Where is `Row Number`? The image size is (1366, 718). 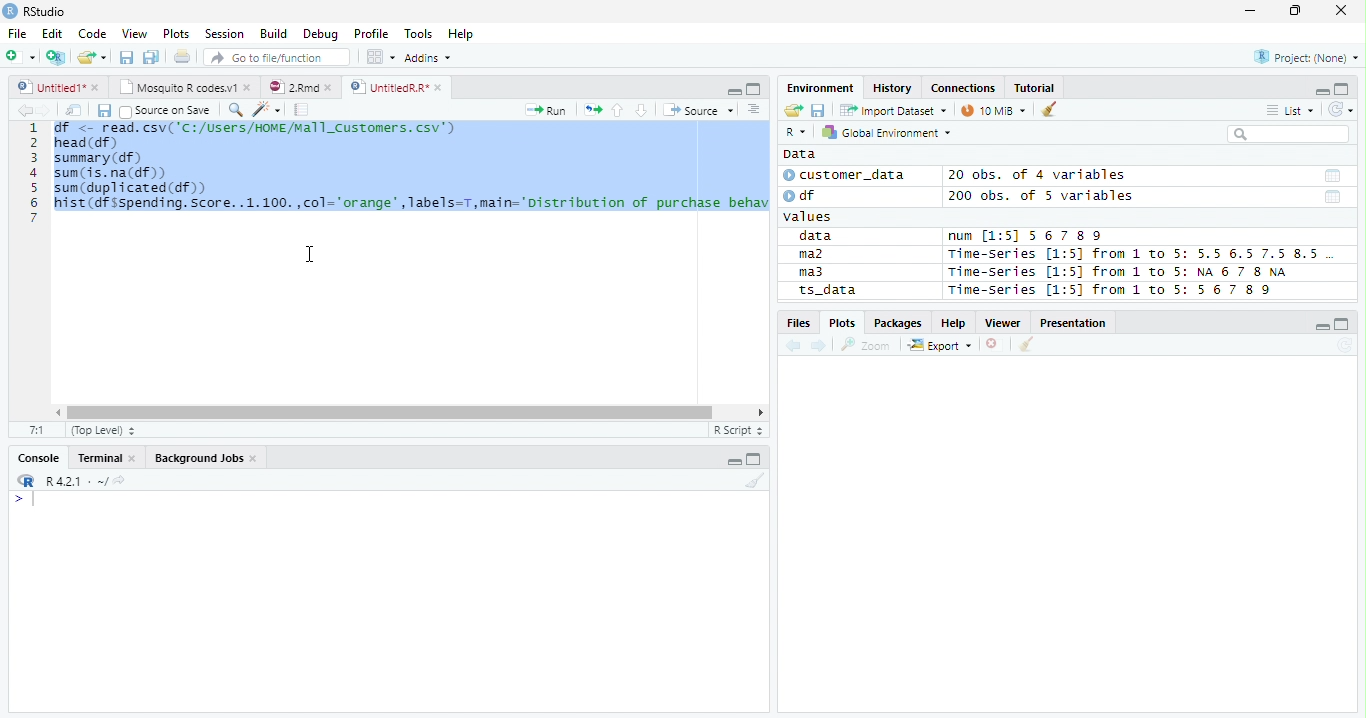 Row Number is located at coordinates (33, 175).